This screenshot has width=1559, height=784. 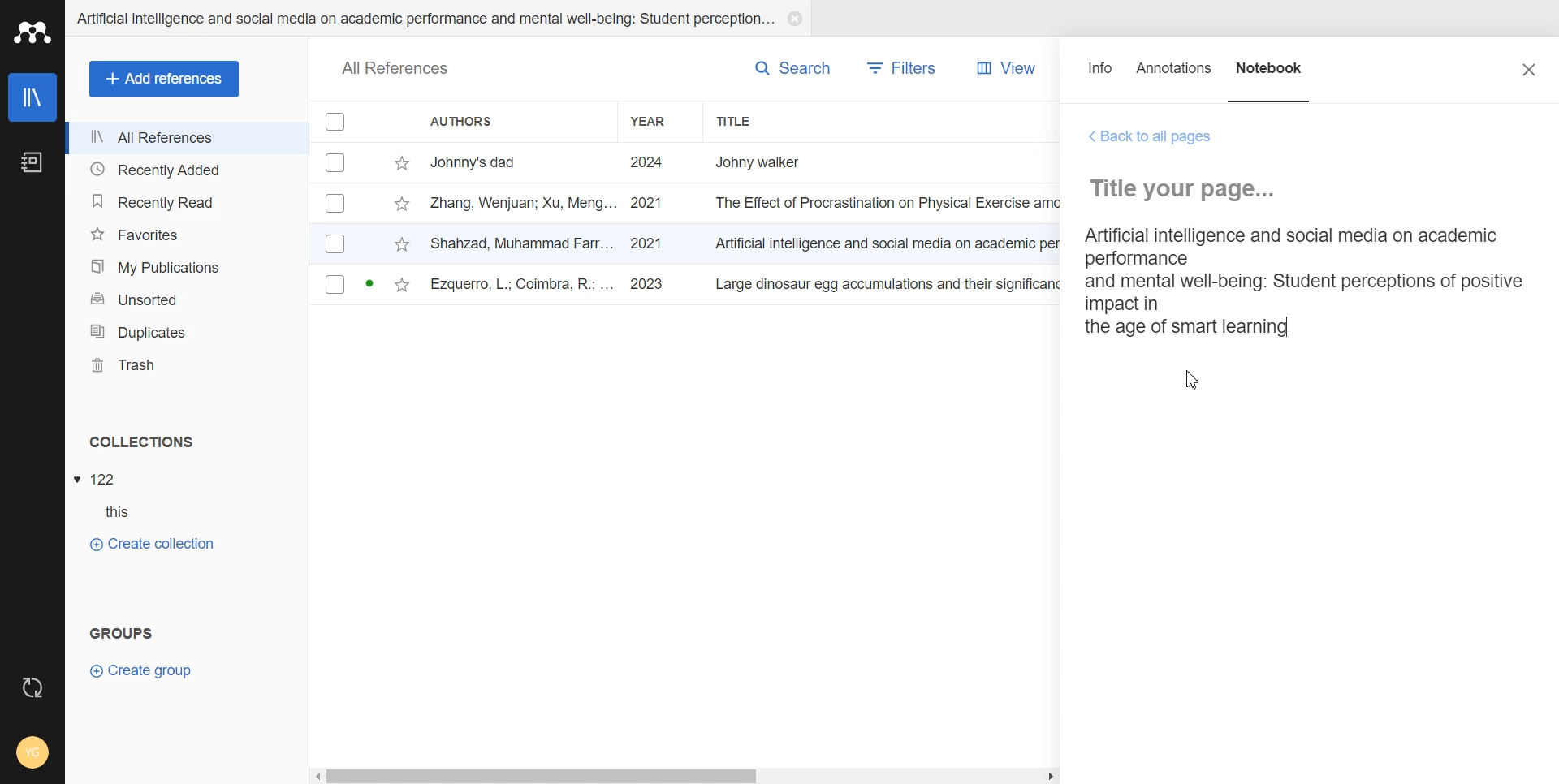 What do you see at coordinates (32, 754) in the screenshot?
I see `Account` at bounding box center [32, 754].